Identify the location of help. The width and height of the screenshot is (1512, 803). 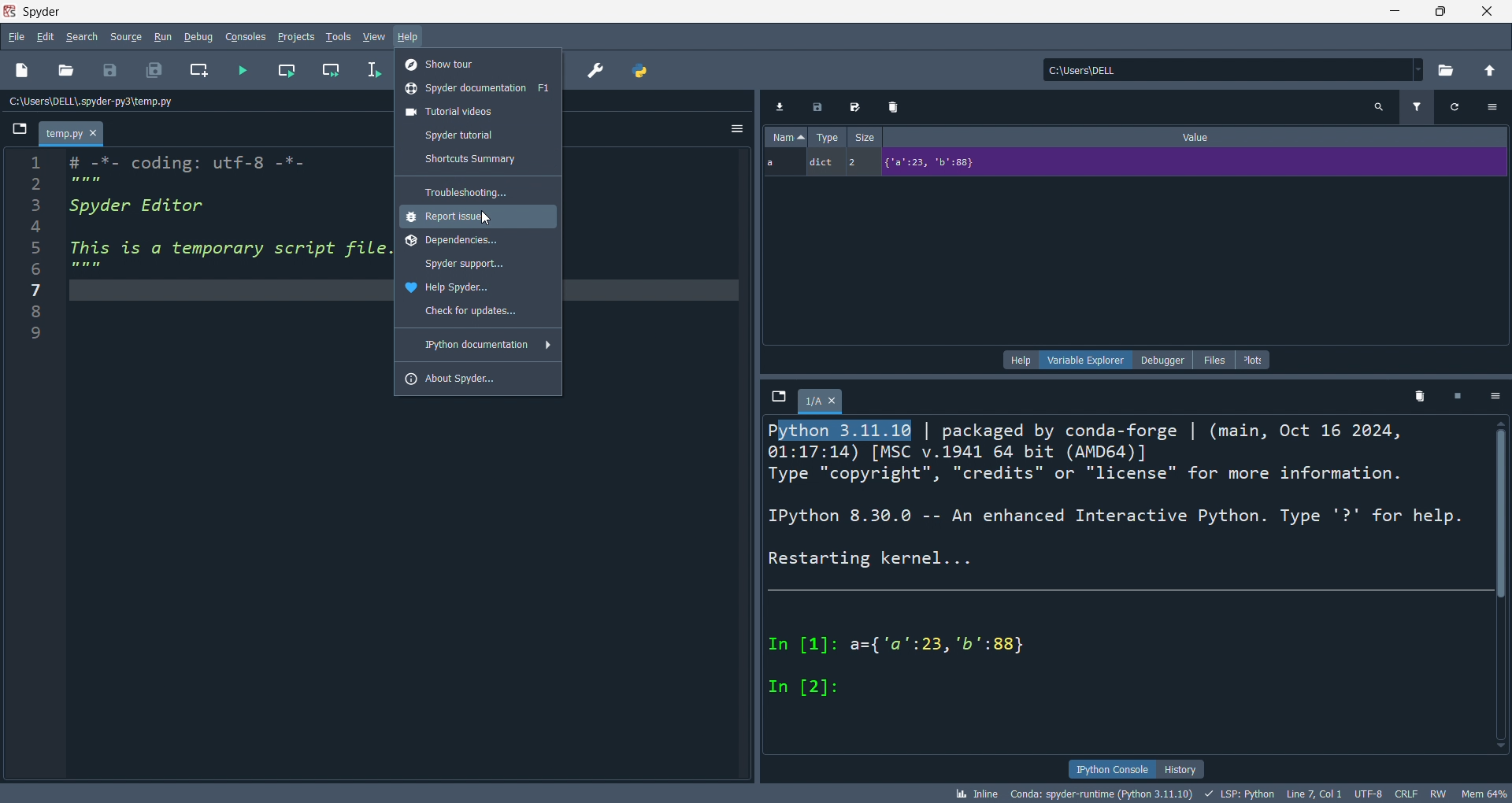
(1021, 360).